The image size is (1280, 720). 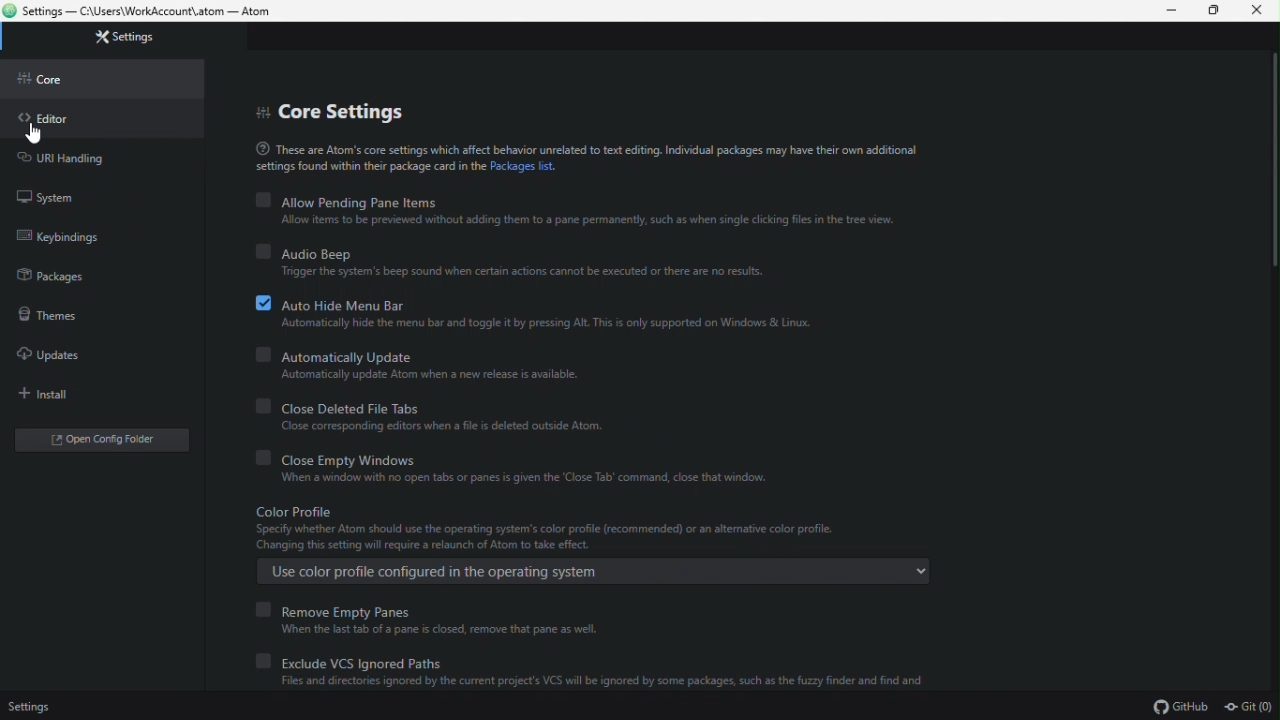 I want to click on git, so click(x=1252, y=708).